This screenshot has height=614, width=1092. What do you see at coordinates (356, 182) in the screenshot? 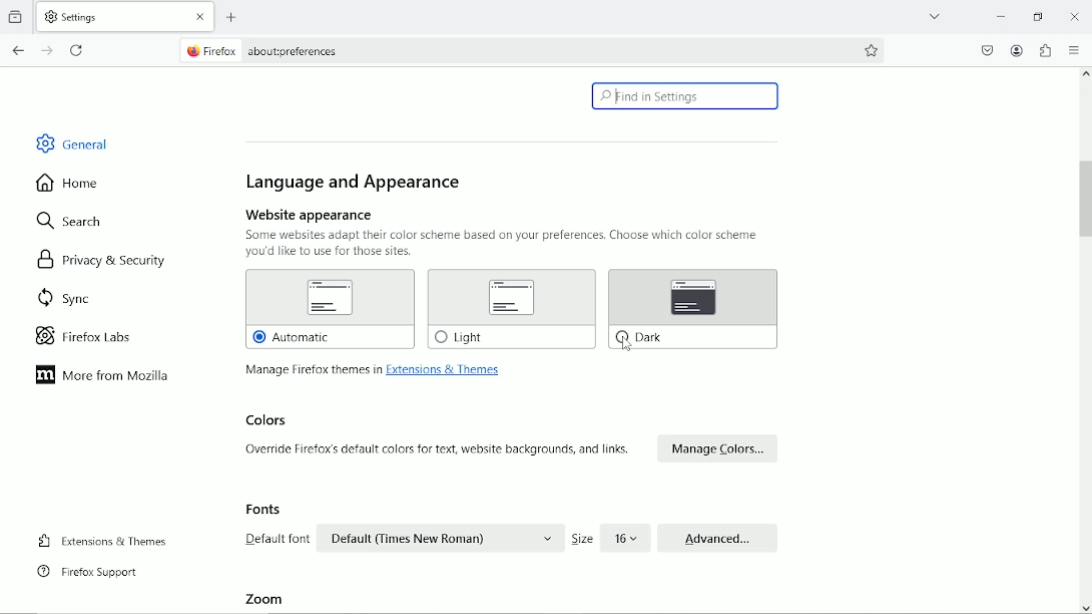
I see `language and appearance` at bounding box center [356, 182].